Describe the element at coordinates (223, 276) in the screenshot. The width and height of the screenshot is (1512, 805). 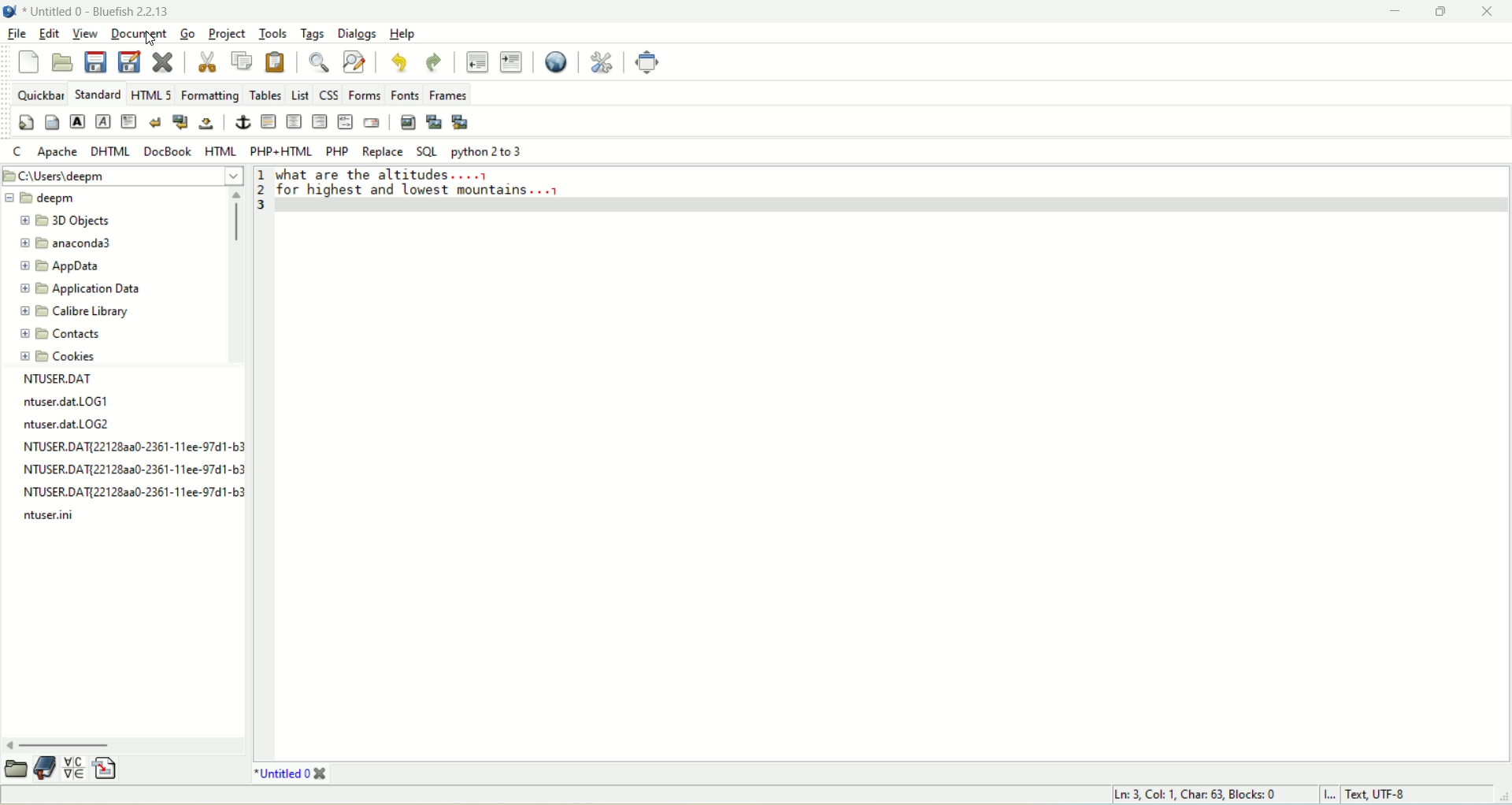
I see `vertical scroll bar` at that location.